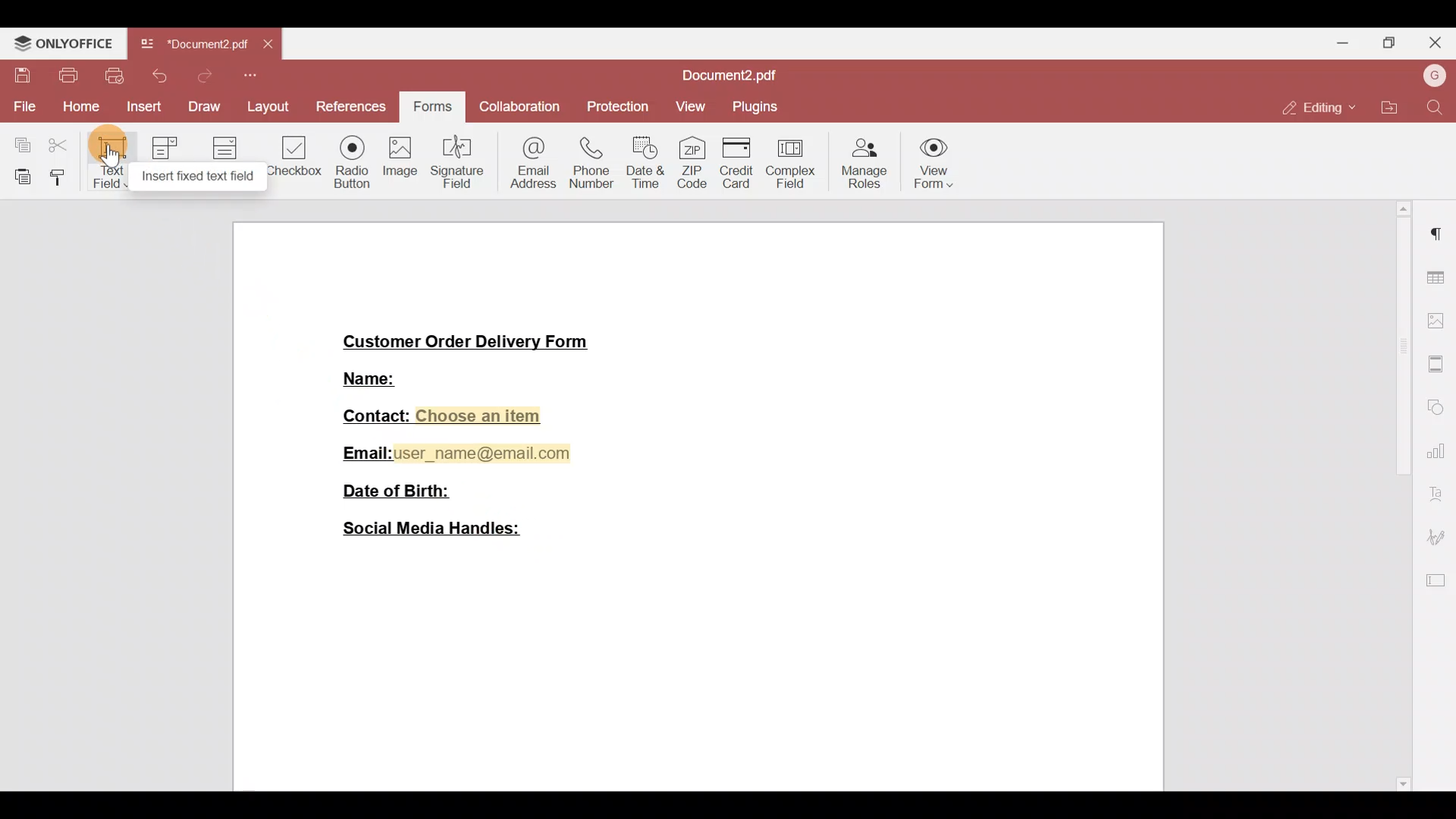  What do you see at coordinates (441, 415) in the screenshot?
I see `Contact: Choose an item` at bounding box center [441, 415].